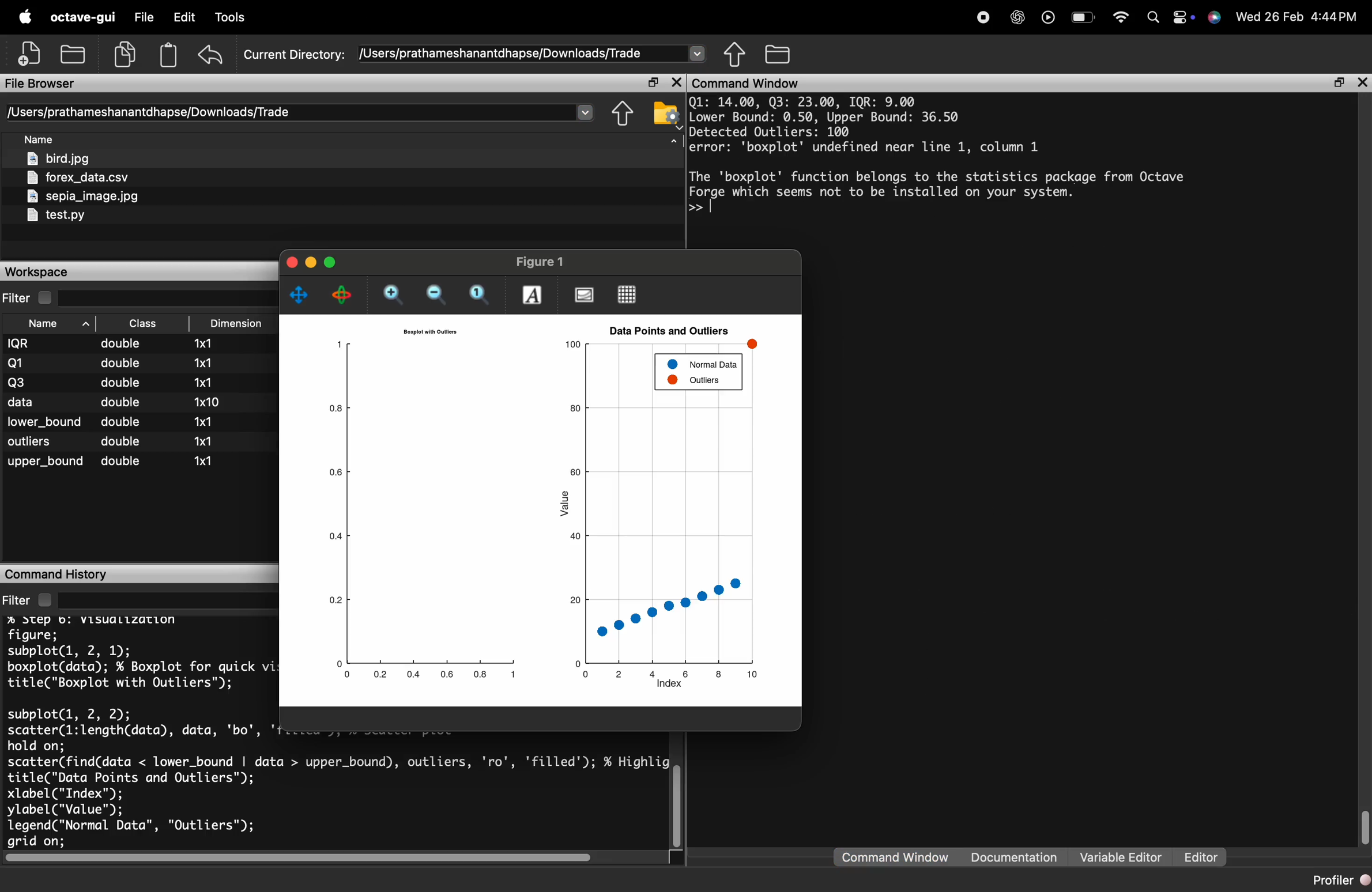 This screenshot has width=1372, height=892. I want to click on Toggle current axes grid visibility, so click(628, 294).